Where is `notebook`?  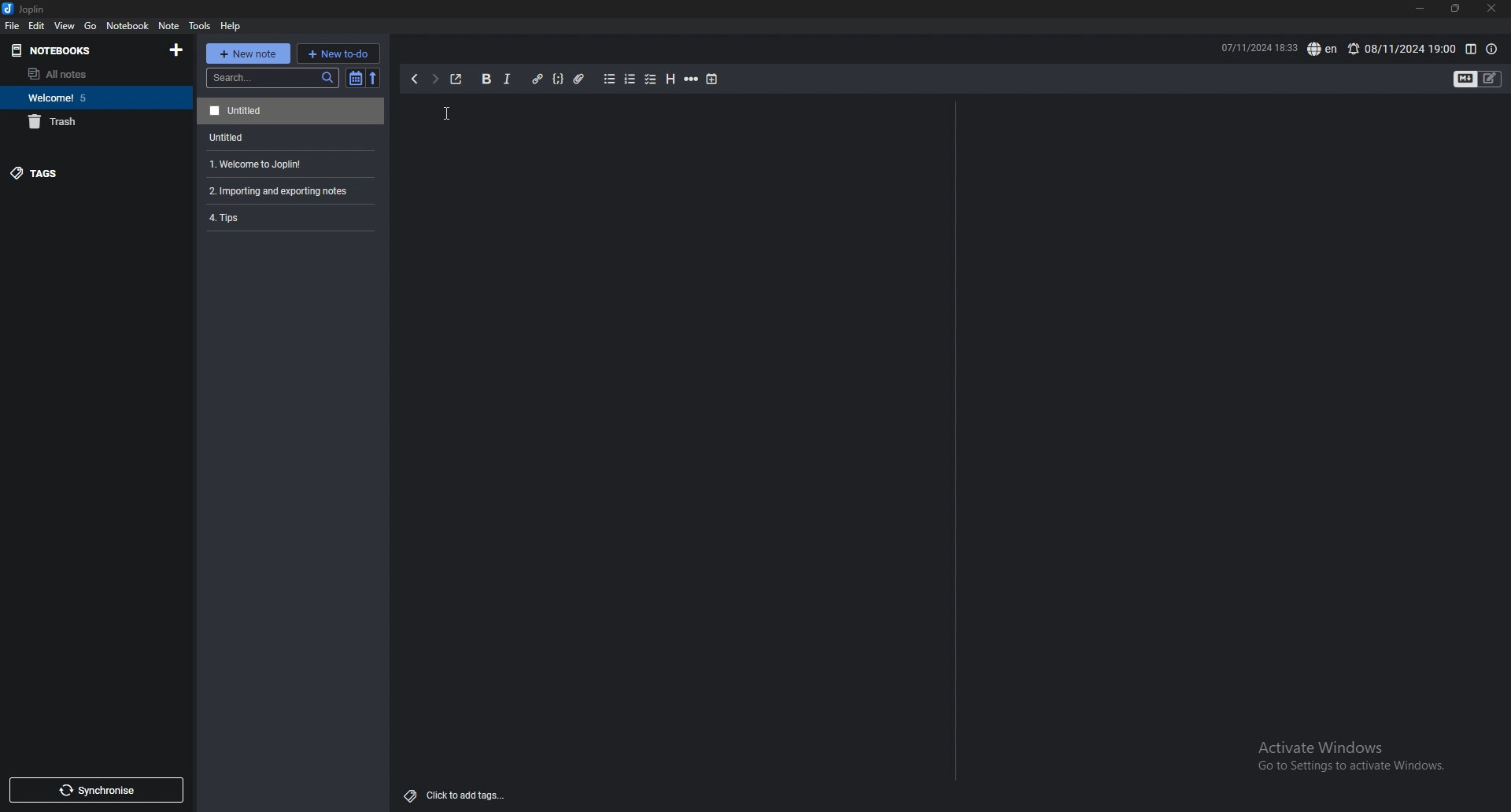 notebook is located at coordinates (128, 25).